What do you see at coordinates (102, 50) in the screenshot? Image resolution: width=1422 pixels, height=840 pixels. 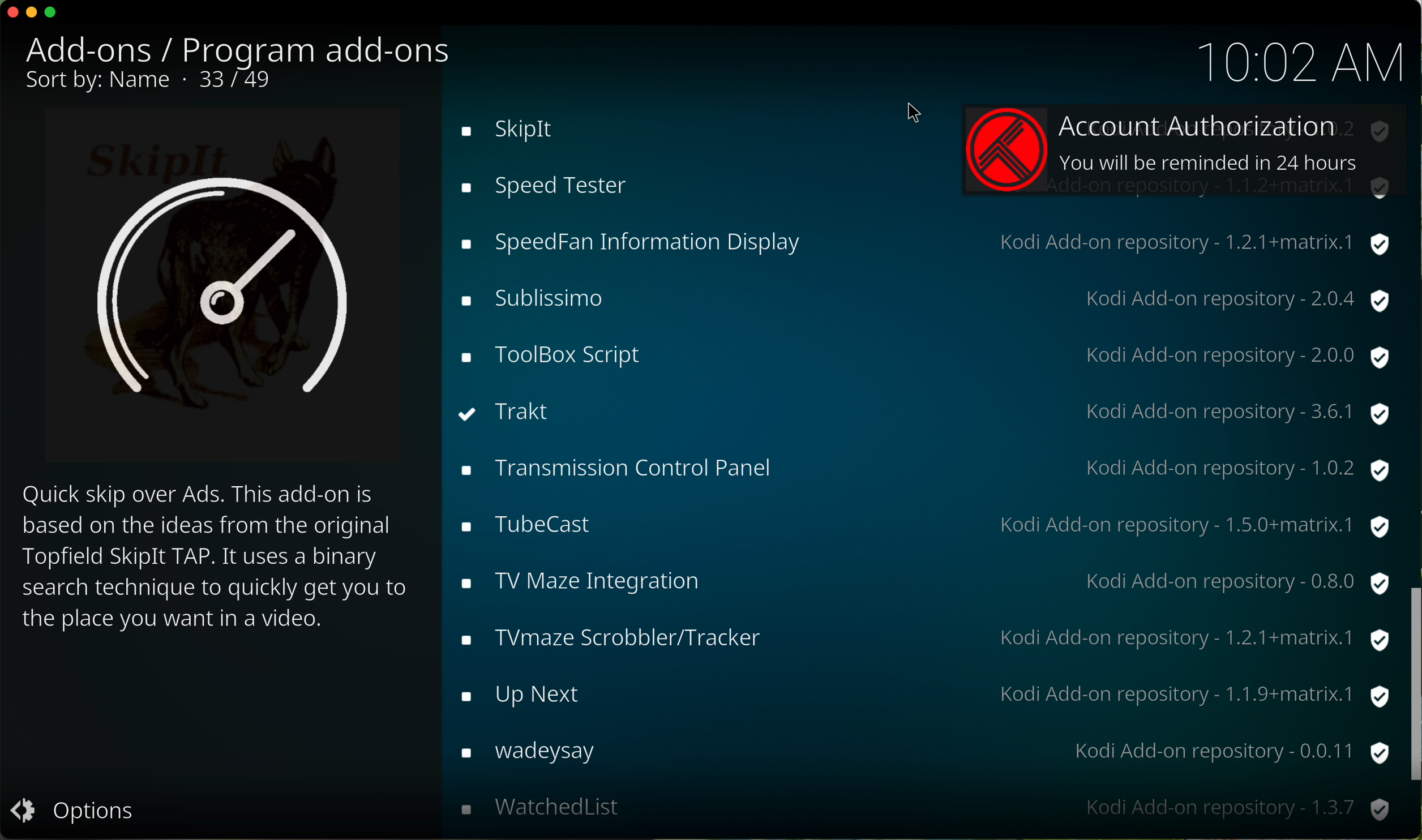 I see `add-ons ` at bounding box center [102, 50].